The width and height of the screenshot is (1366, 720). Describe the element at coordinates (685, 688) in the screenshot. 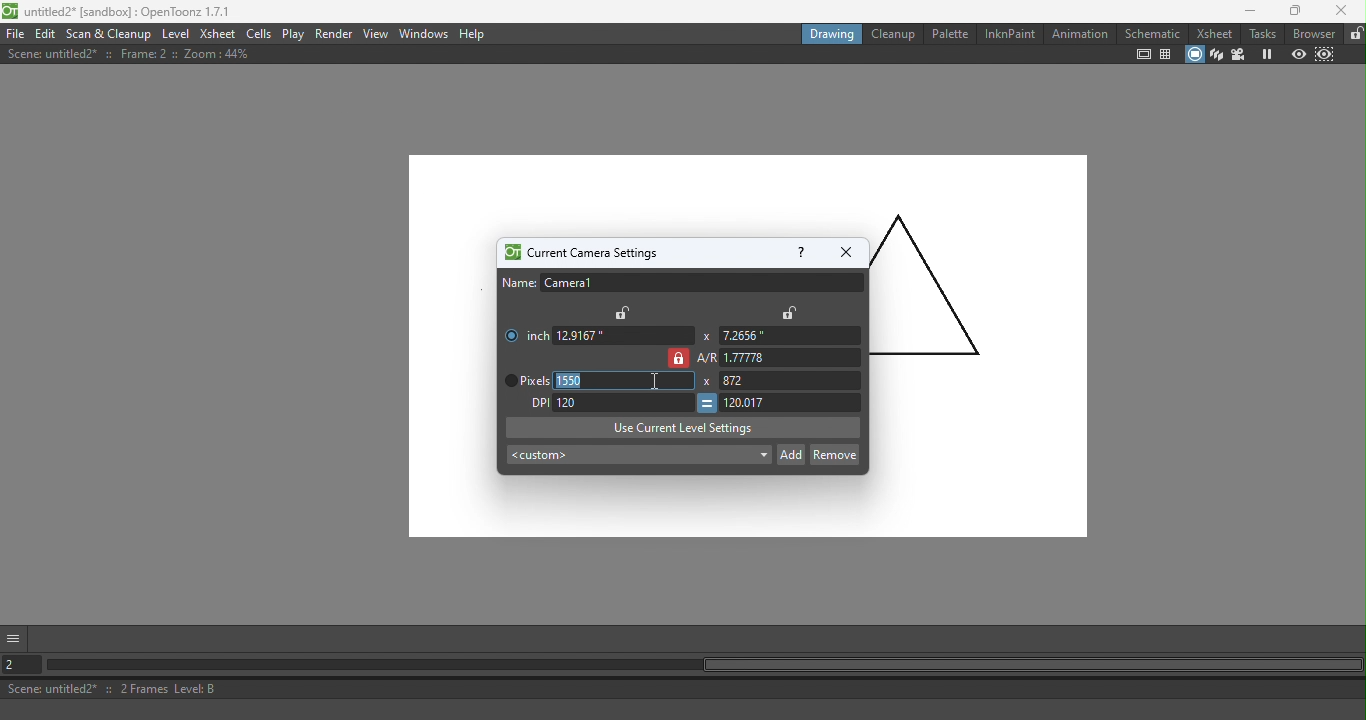

I see `Scene: untitled2* :: 2 Frames Level: B` at that location.